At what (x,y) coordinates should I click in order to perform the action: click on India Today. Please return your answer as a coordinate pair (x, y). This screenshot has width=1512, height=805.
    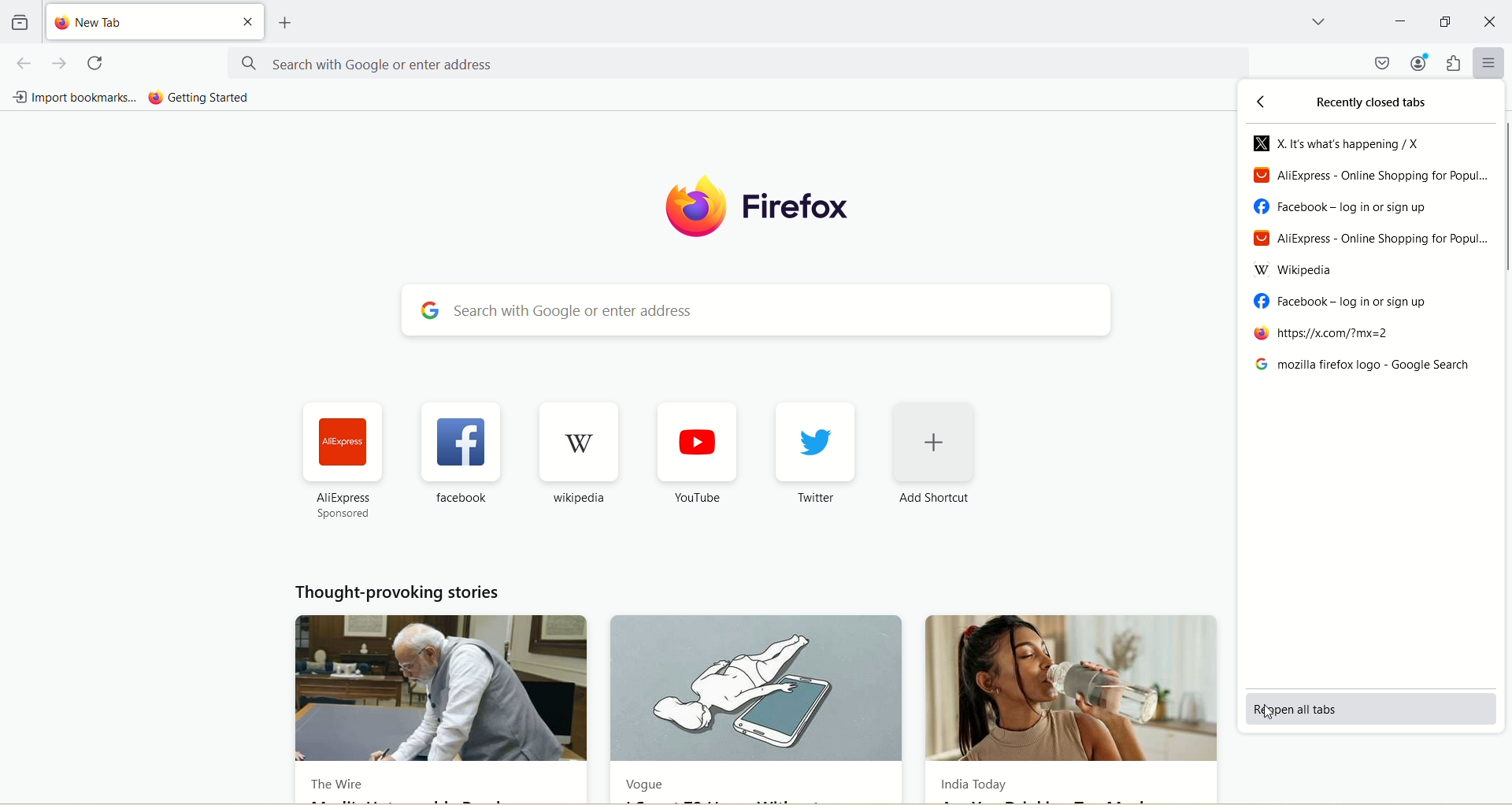
    Looking at the image, I should click on (972, 785).